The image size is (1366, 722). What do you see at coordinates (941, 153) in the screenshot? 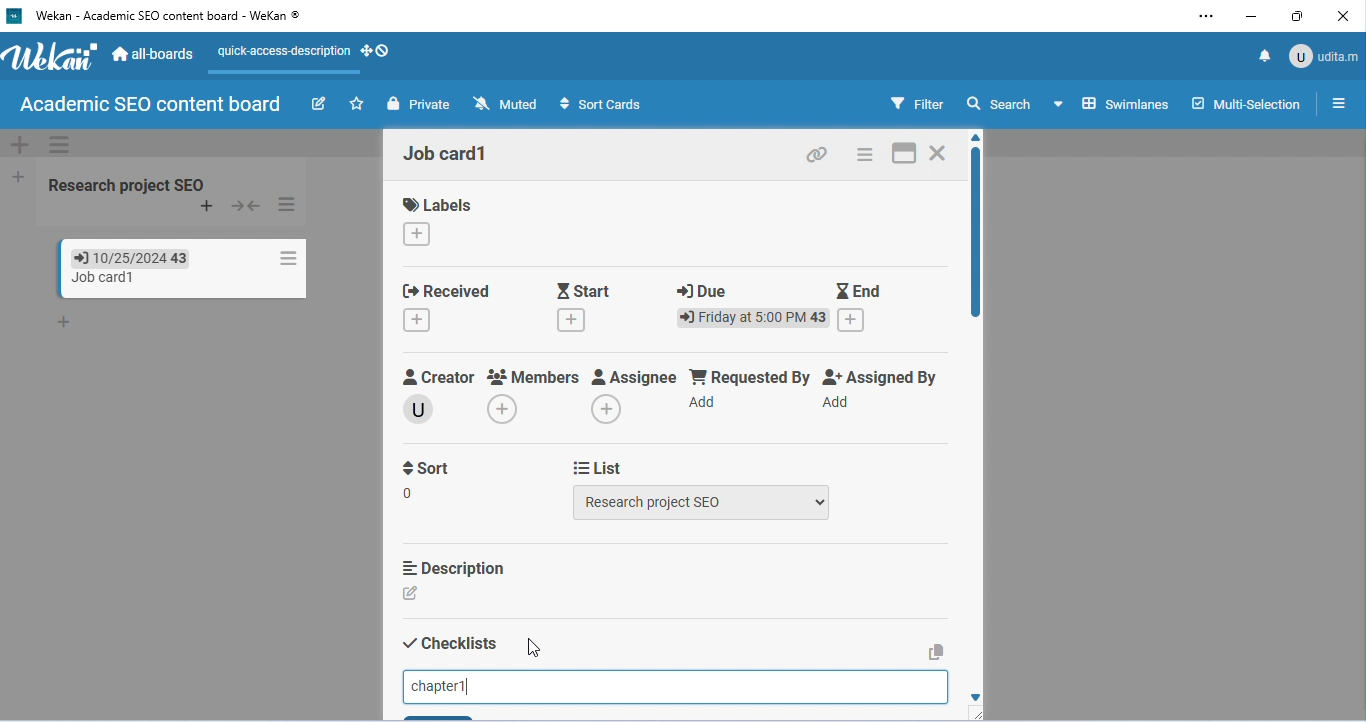
I see `close the card` at bounding box center [941, 153].